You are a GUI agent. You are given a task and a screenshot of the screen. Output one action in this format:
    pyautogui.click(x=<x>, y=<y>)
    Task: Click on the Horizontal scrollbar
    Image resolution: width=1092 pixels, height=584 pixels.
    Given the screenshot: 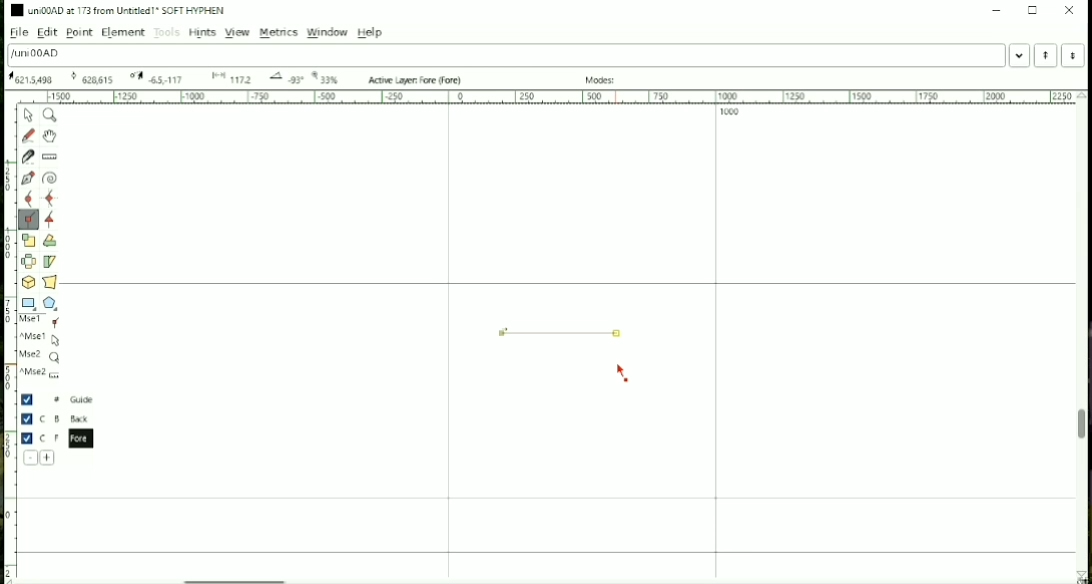 What is the action you would take?
    pyautogui.click(x=240, y=578)
    